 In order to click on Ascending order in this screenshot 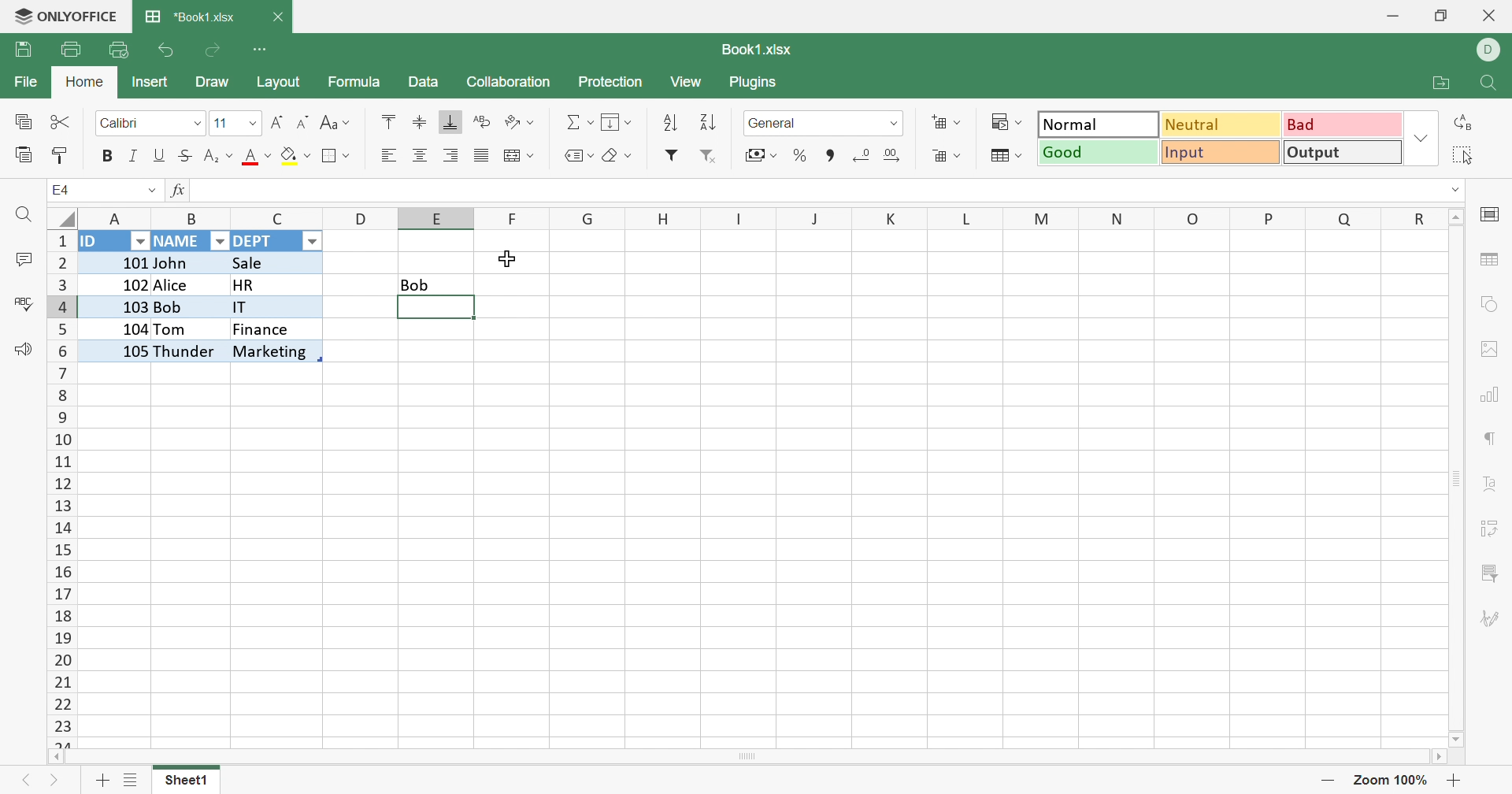, I will do `click(673, 121)`.